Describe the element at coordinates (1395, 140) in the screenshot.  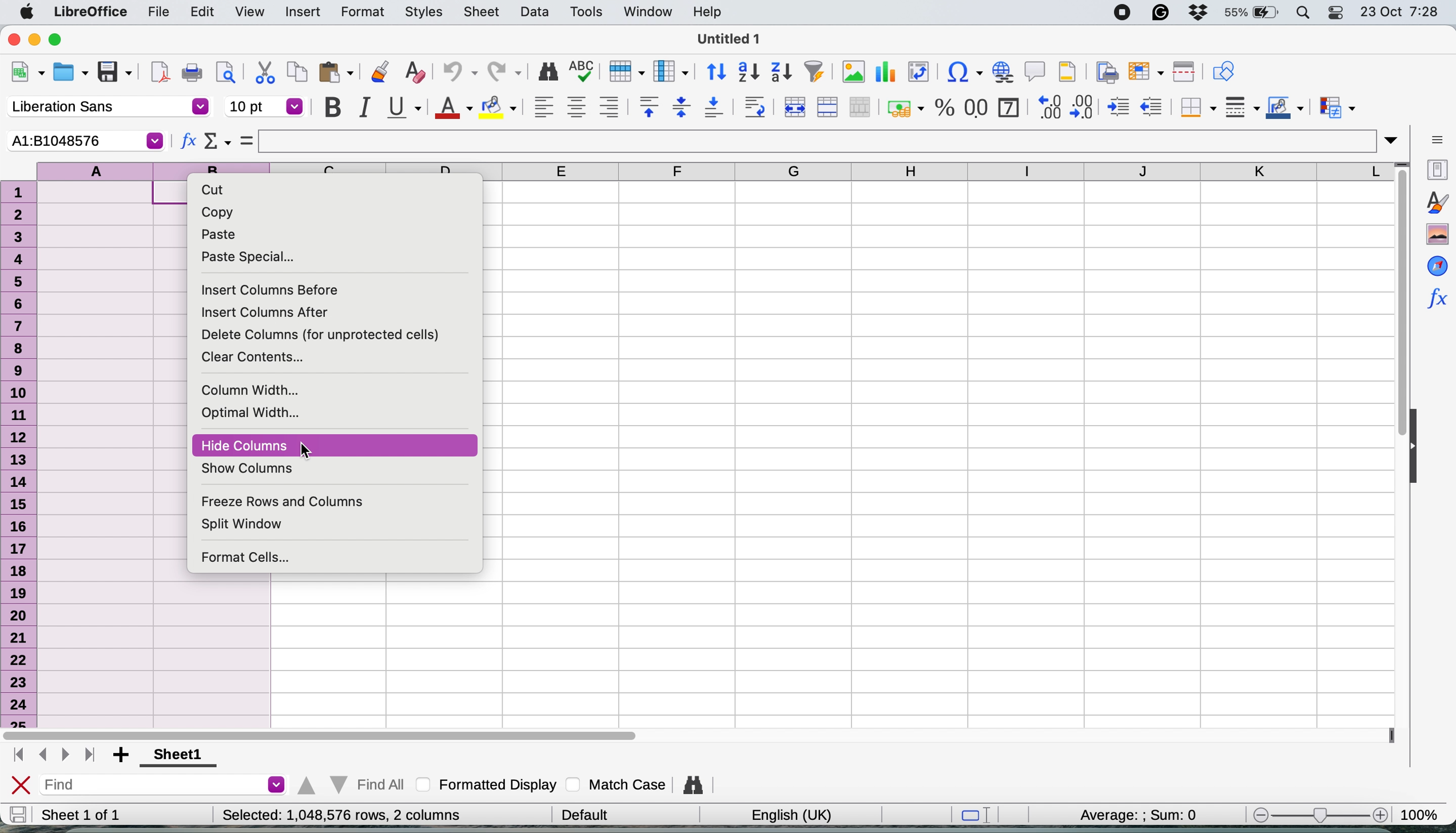
I see `expand formula bar` at that location.